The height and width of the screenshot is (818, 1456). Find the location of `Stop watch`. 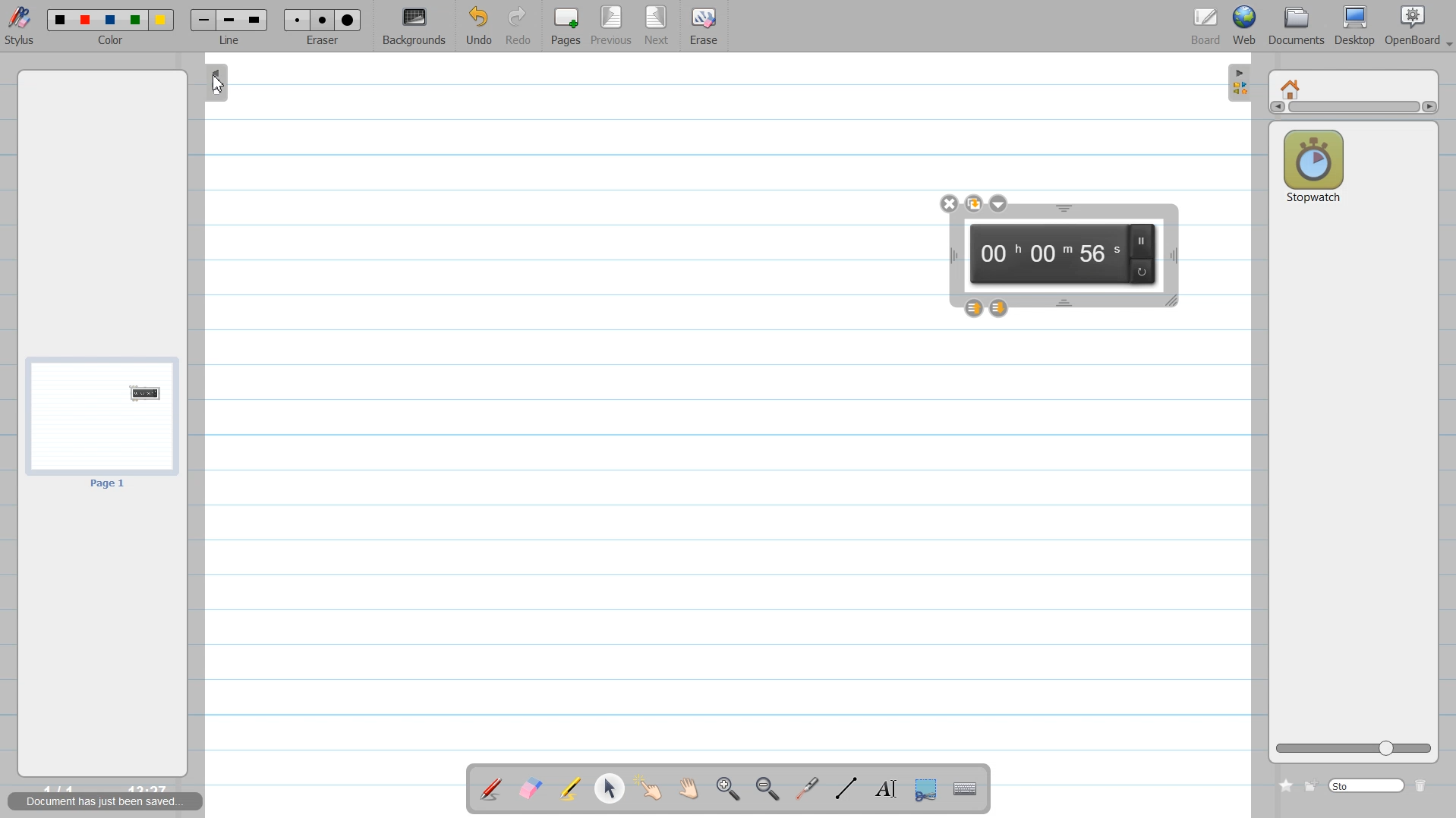

Stop watch is located at coordinates (1313, 166).